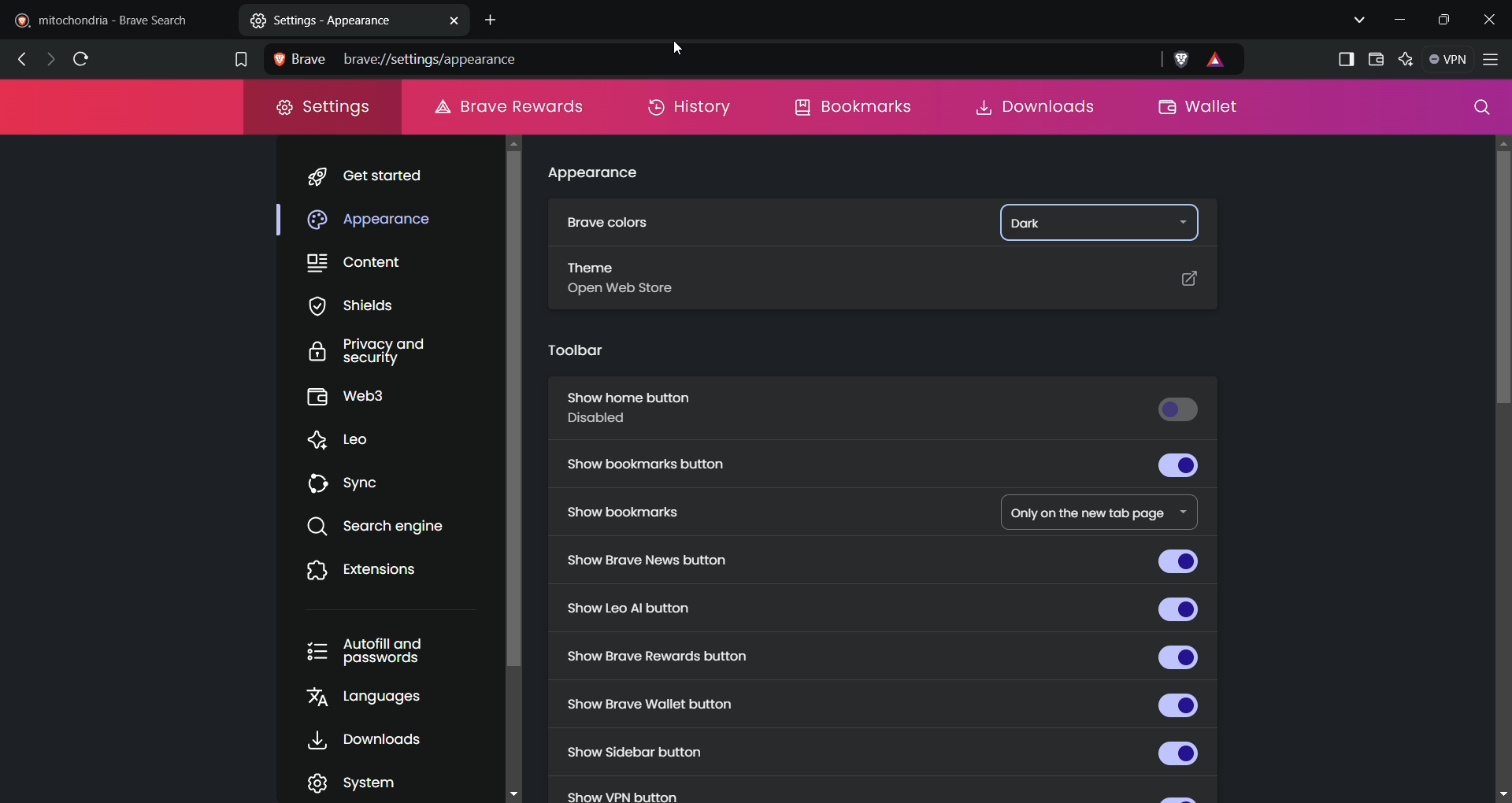 The image size is (1512, 803). What do you see at coordinates (1088, 508) in the screenshot?
I see `only on new tab page` at bounding box center [1088, 508].